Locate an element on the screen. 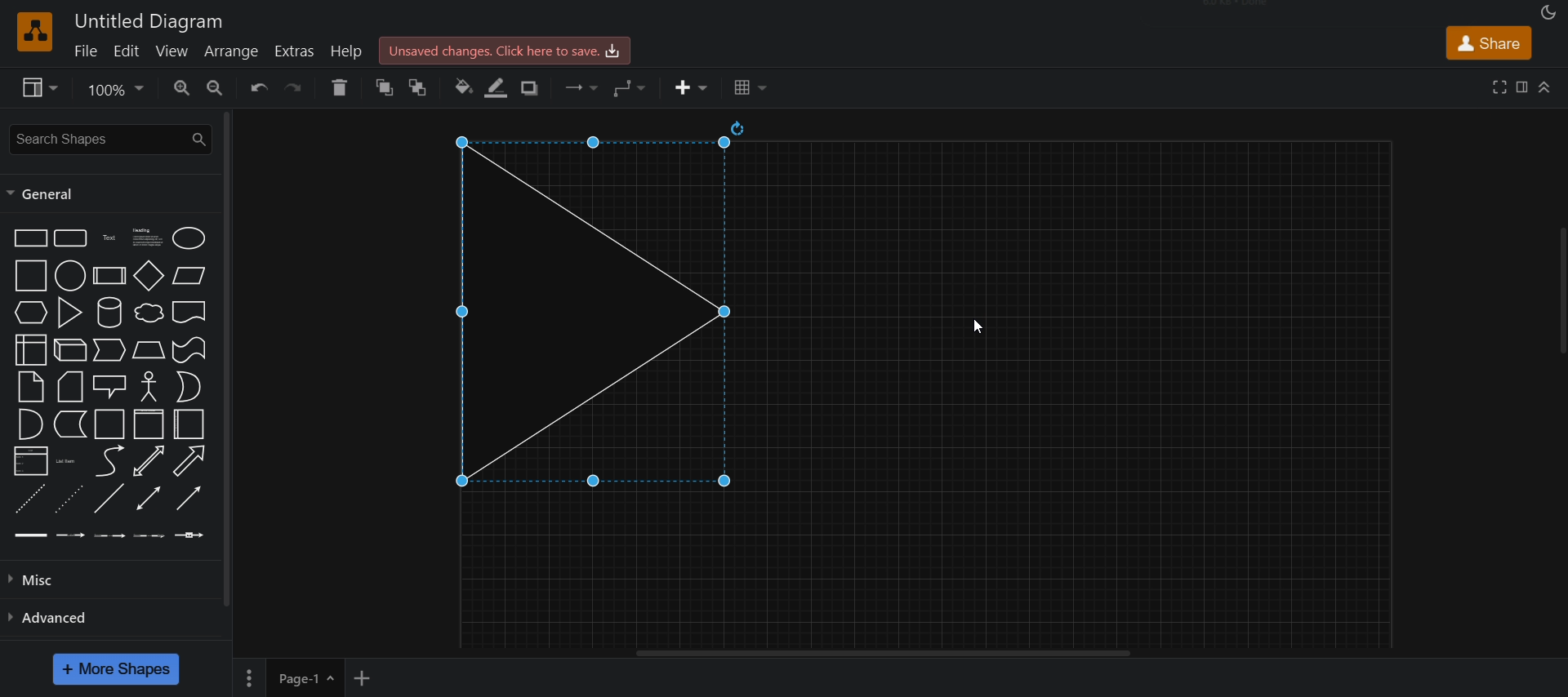 The image size is (1568, 697). share is located at coordinates (1487, 42).